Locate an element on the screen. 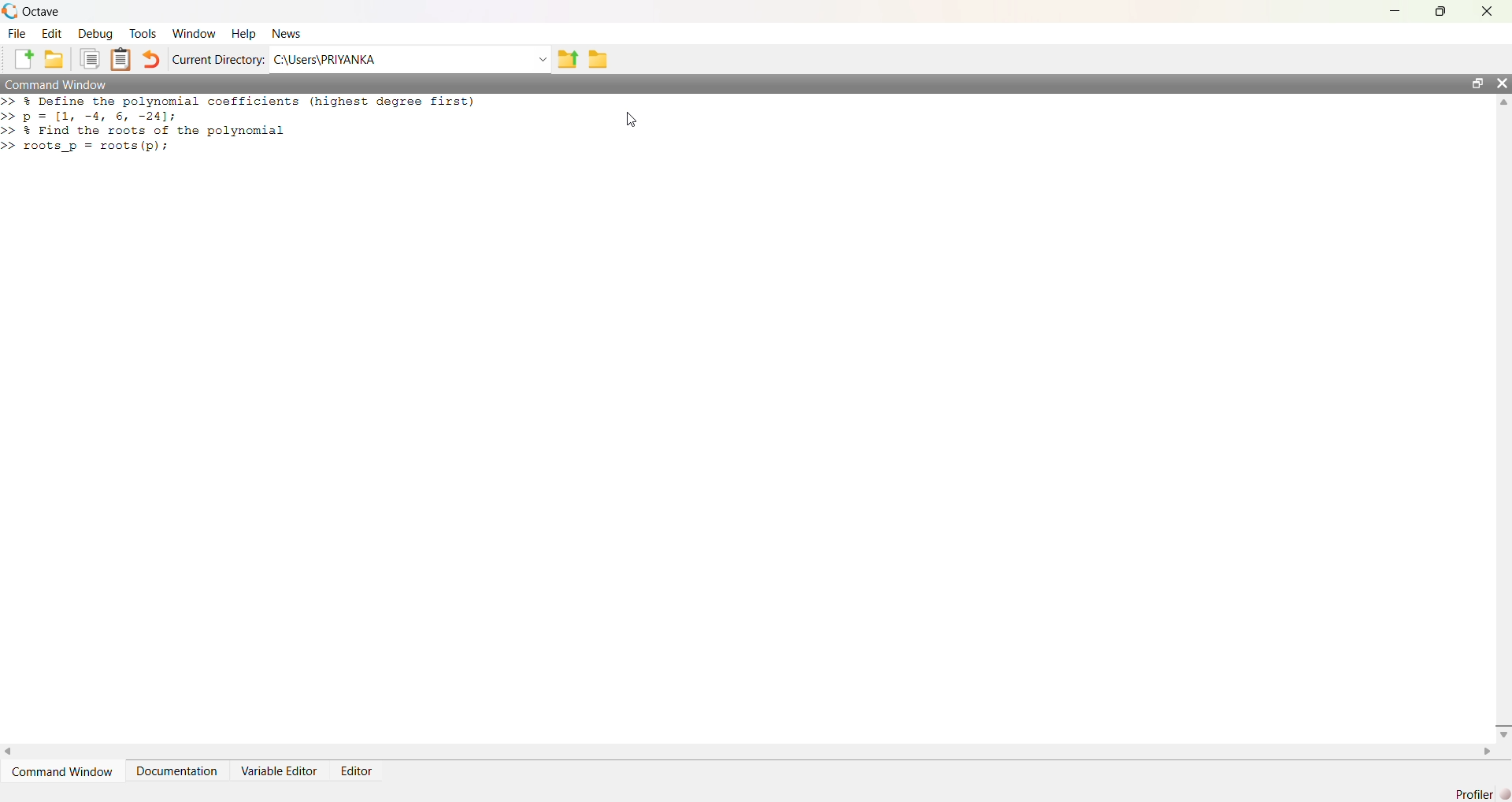  Cursor is located at coordinates (632, 119).